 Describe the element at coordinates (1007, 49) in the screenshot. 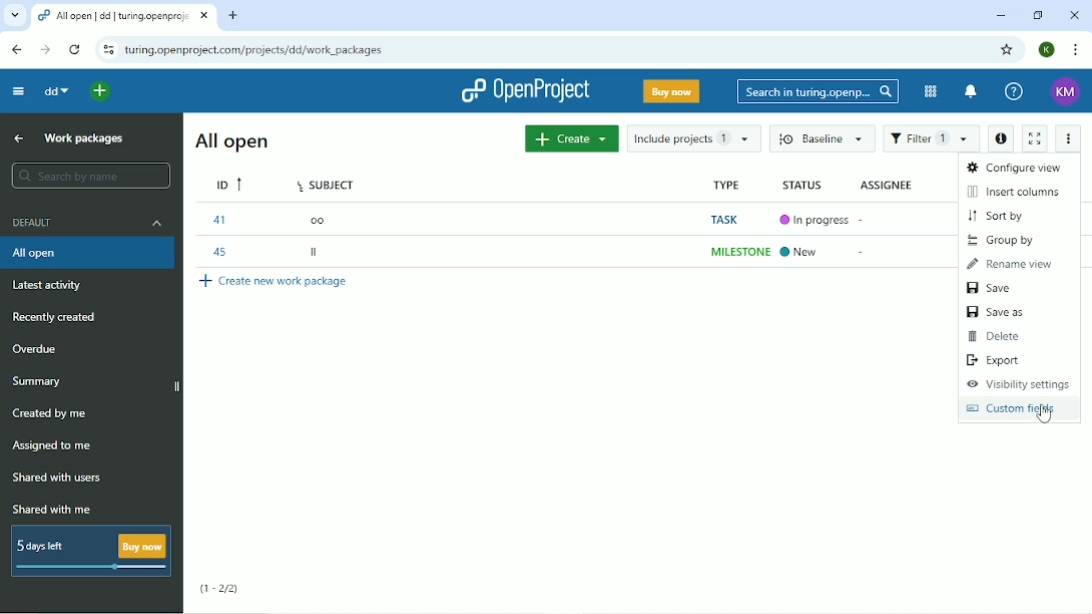

I see `Bookmark this tab` at that location.